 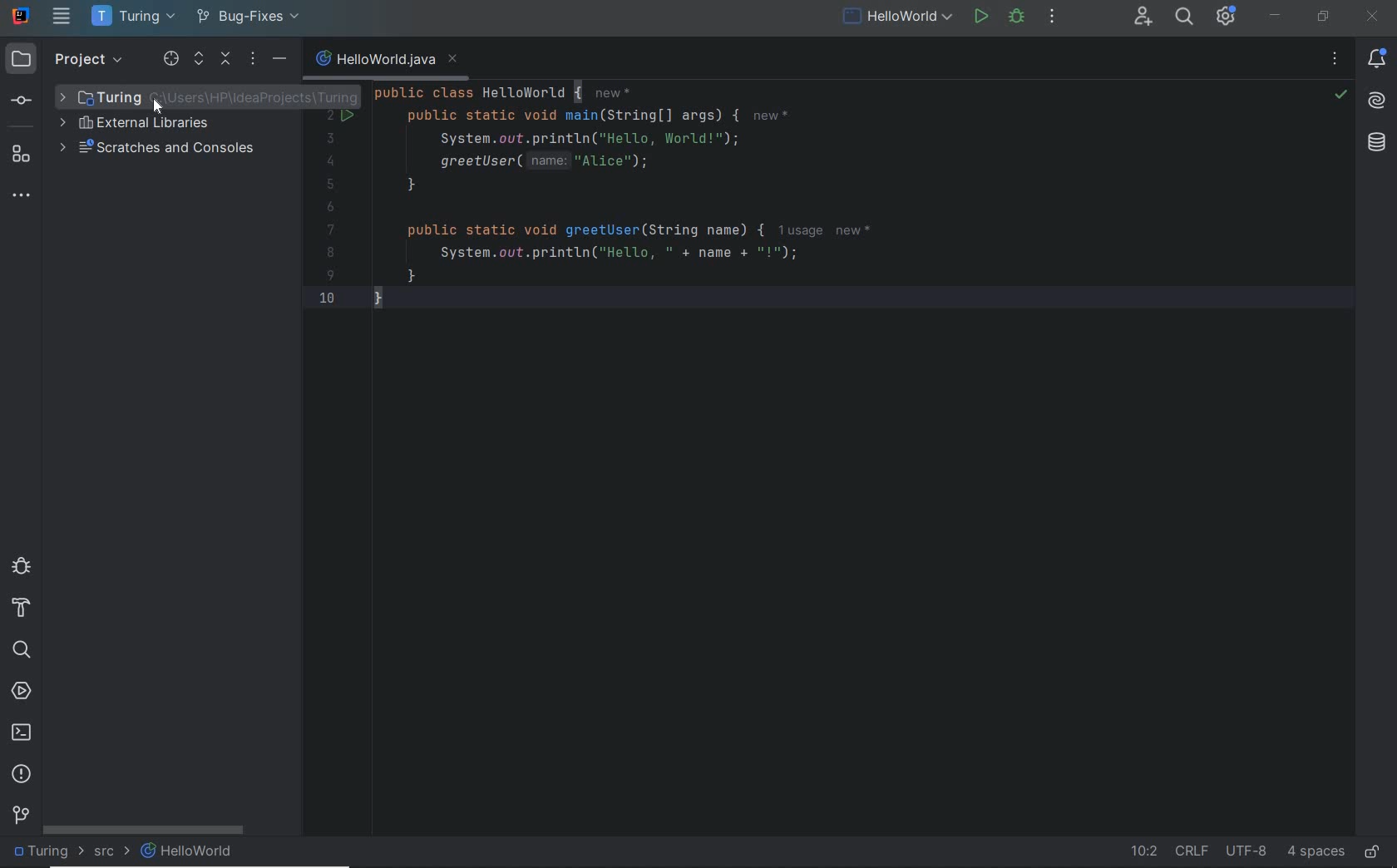 I want to click on recent files, tab options, so click(x=1336, y=61).